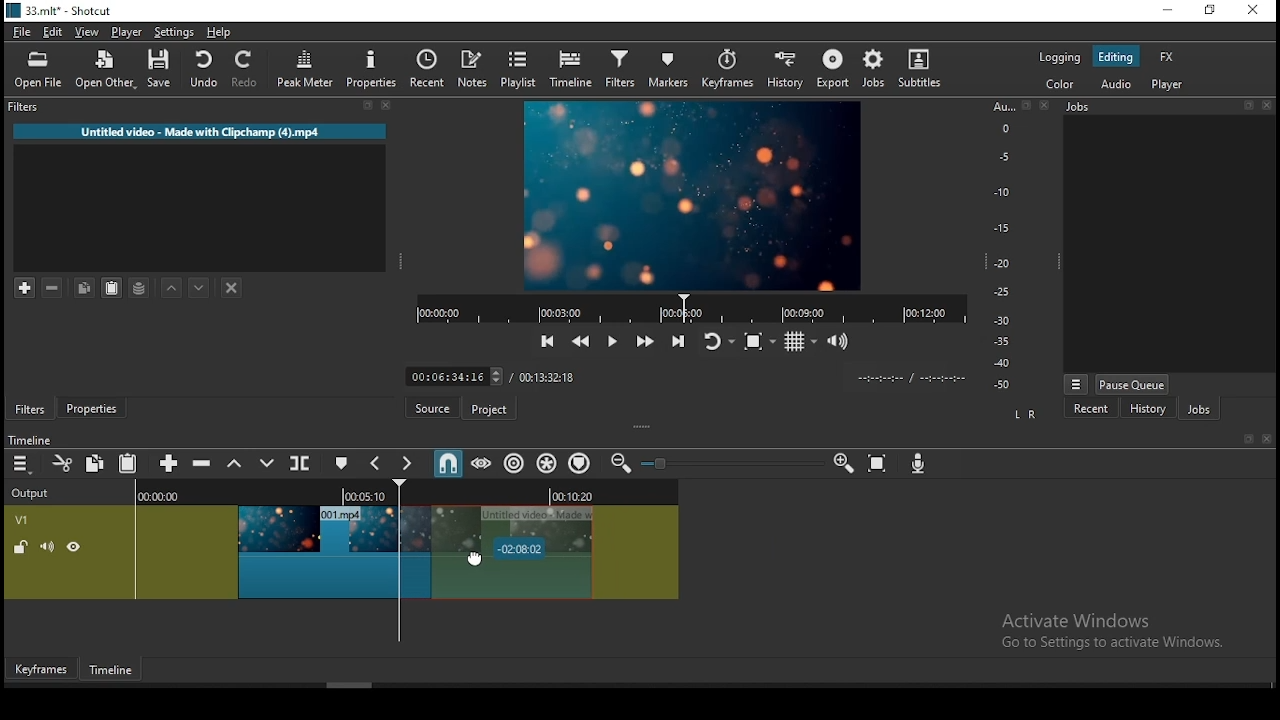 This screenshot has width=1280, height=720. Describe the element at coordinates (670, 72) in the screenshot. I see `markers` at that location.